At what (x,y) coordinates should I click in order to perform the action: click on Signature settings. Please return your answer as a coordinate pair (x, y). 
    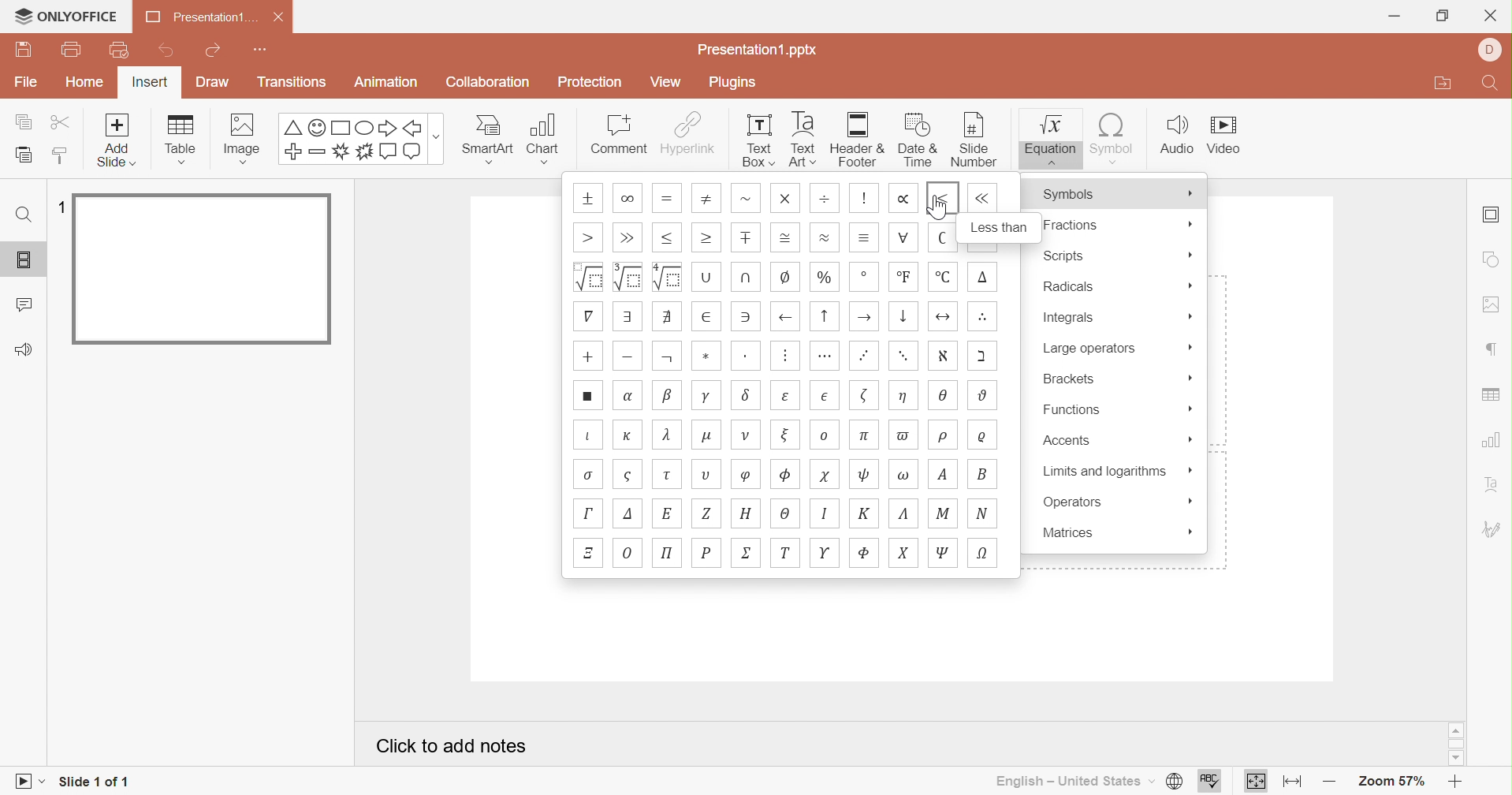
    Looking at the image, I should click on (1490, 528).